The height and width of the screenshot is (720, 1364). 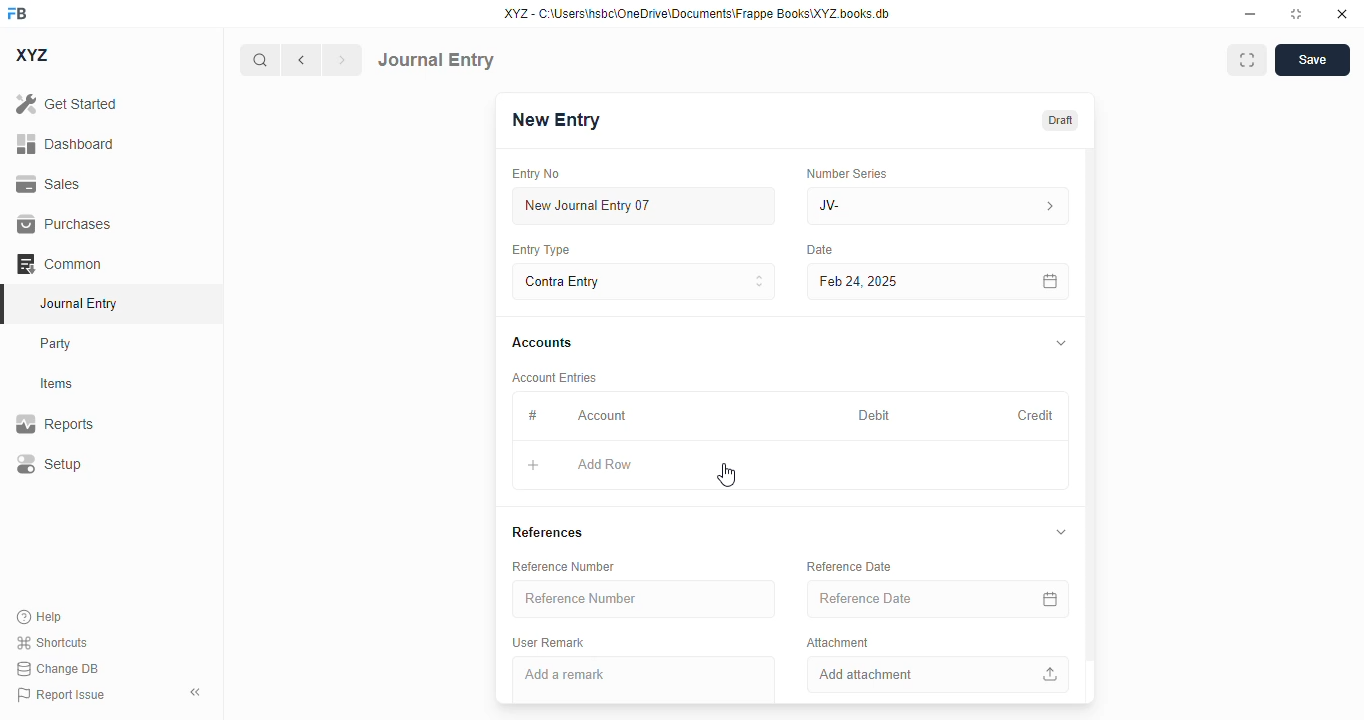 What do you see at coordinates (531, 415) in the screenshot?
I see `#` at bounding box center [531, 415].